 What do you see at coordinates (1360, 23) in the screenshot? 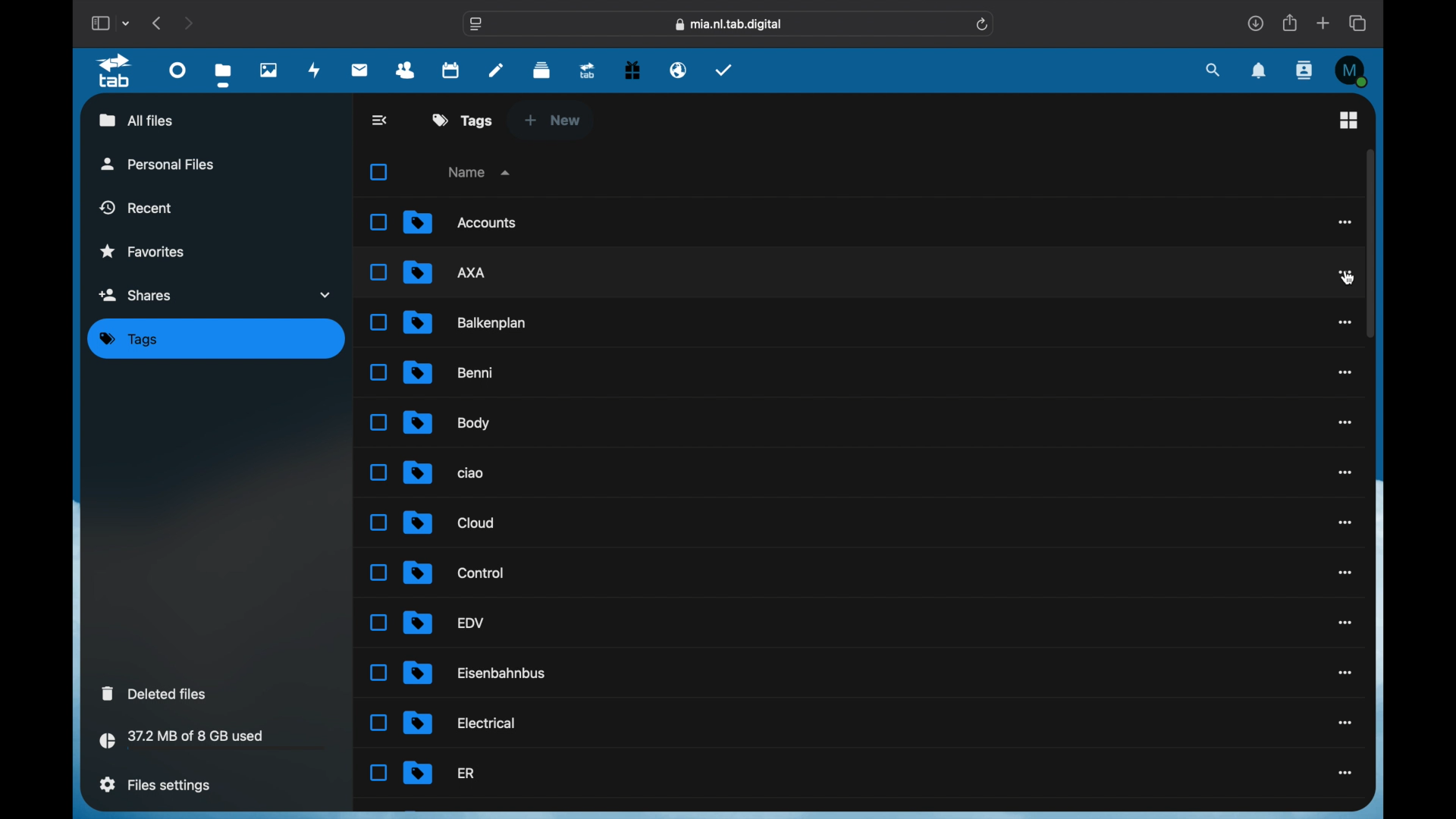
I see `show tab overview` at bounding box center [1360, 23].